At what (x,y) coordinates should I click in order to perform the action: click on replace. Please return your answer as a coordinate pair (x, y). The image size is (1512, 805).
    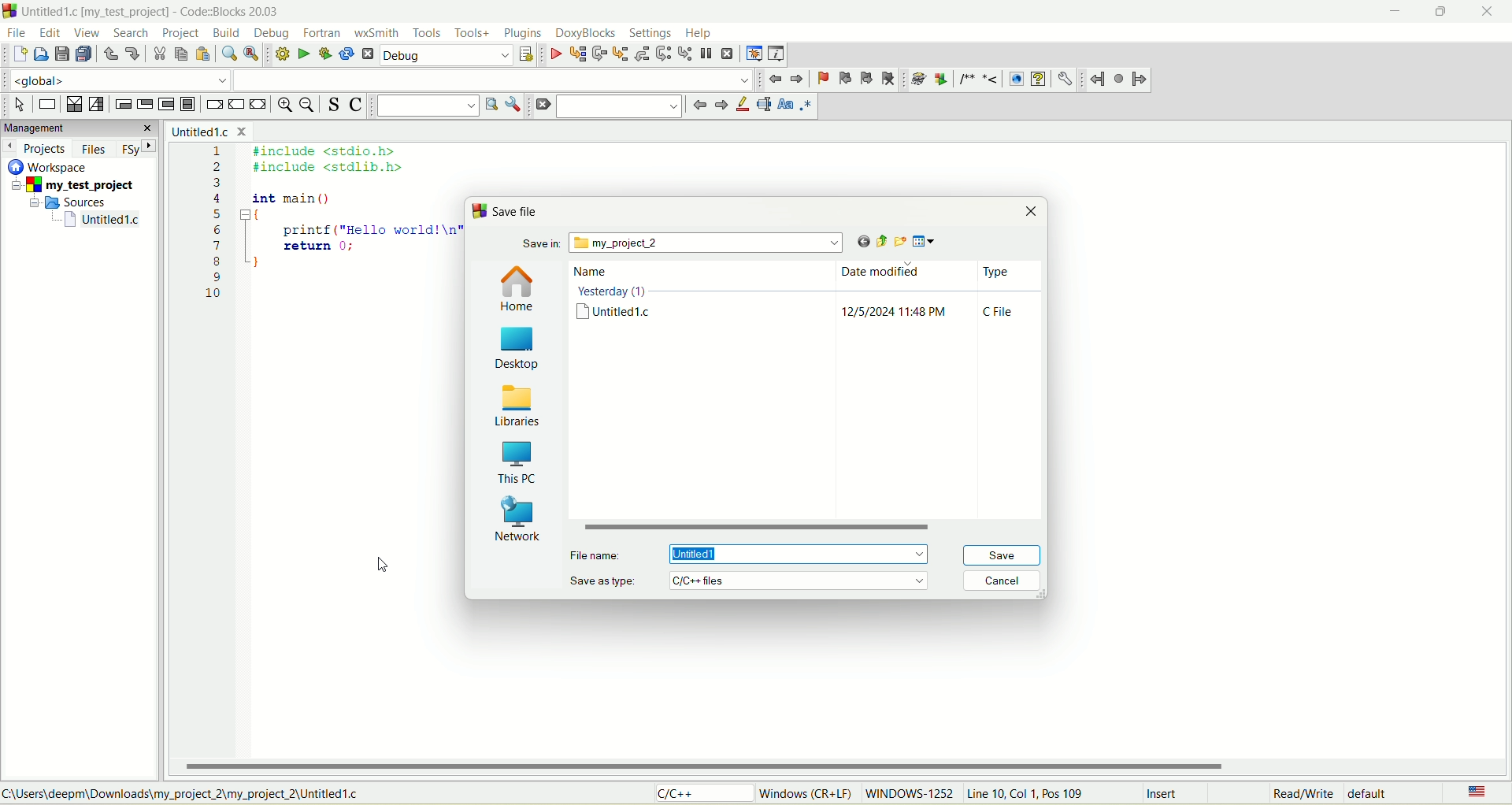
    Looking at the image, I should click on (250, 53).